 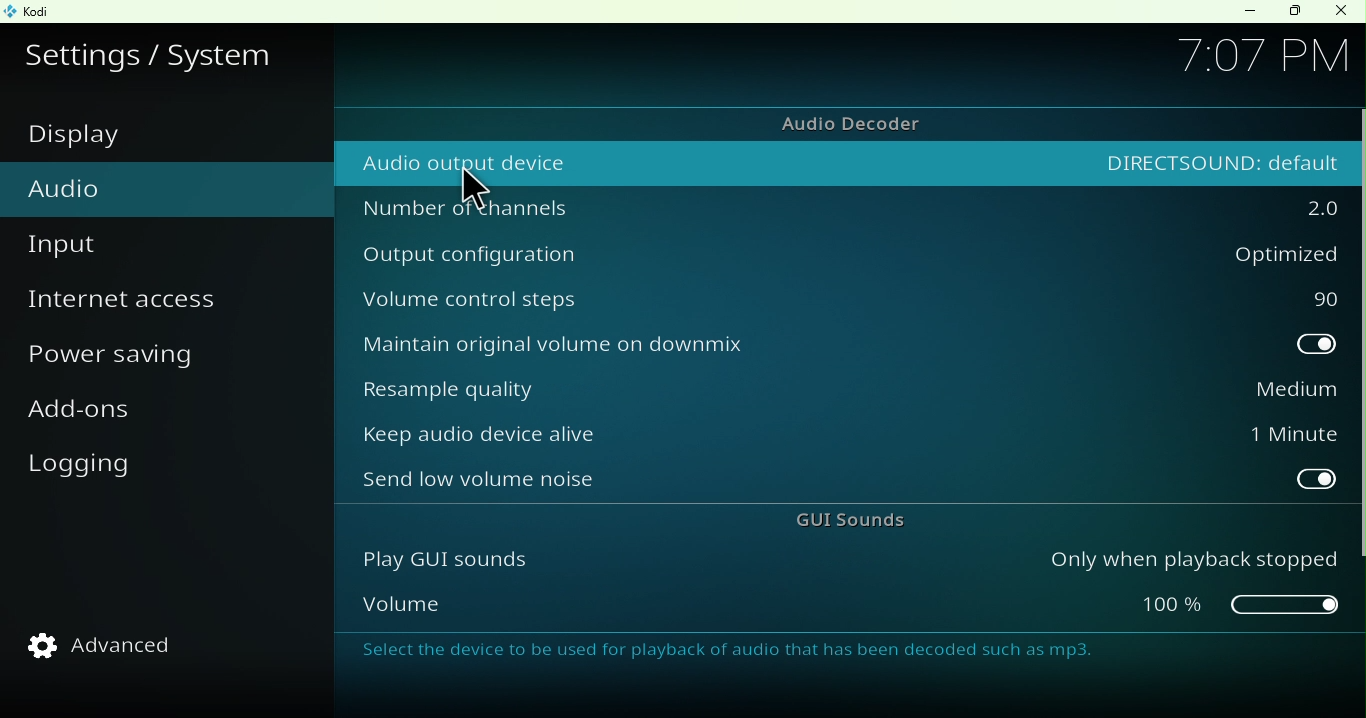 What do you see at coordinates (1218, 205) in the screenshot?
I see `2.0` at bounding box center [1218, 205].